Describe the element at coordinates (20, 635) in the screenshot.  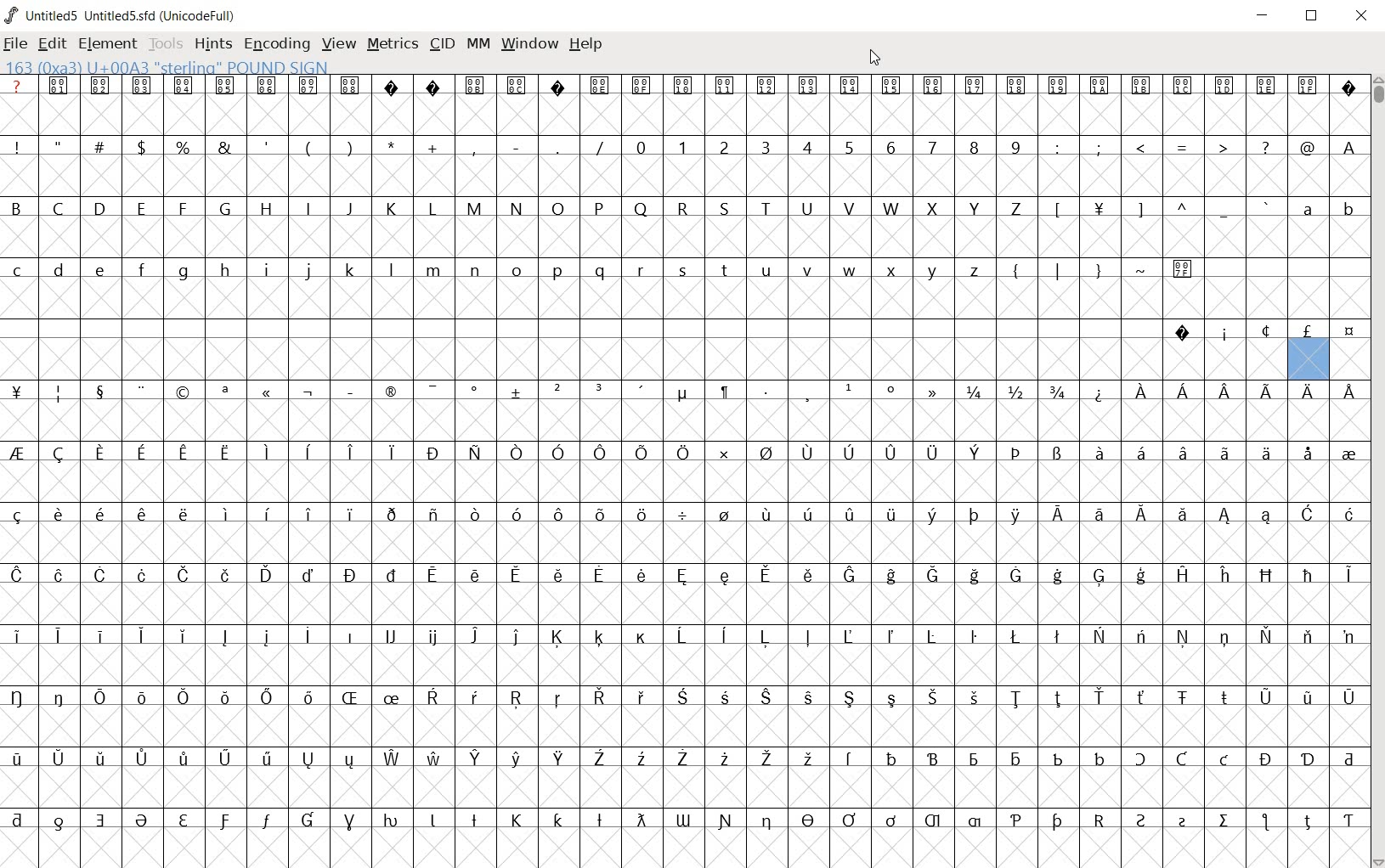
I see `Symbol` at that location.